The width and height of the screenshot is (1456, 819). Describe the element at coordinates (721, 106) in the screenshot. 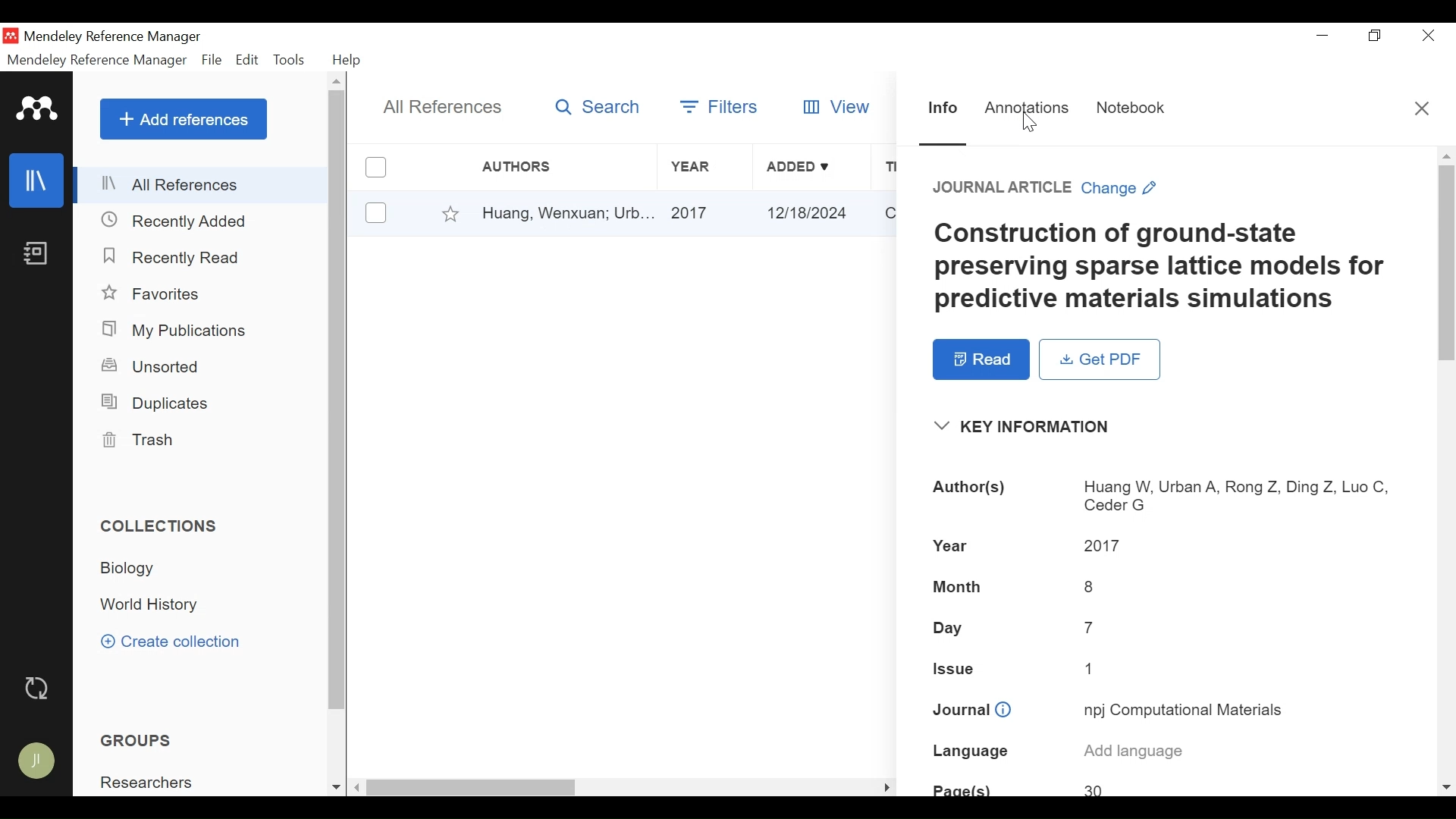

I see `Filters` at that location.